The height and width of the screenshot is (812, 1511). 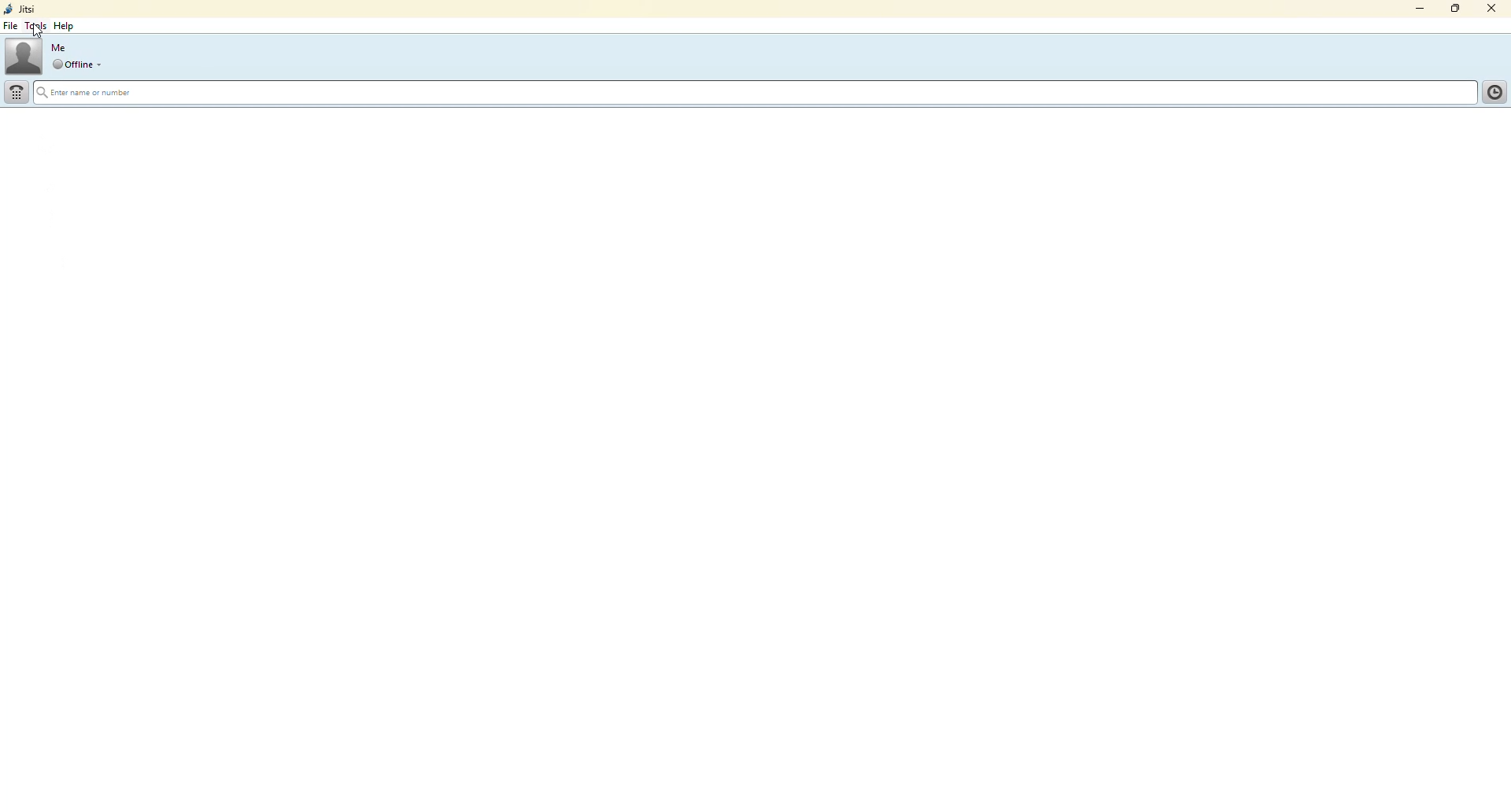 I want to click on maximize, so click(x=1454, y=10).